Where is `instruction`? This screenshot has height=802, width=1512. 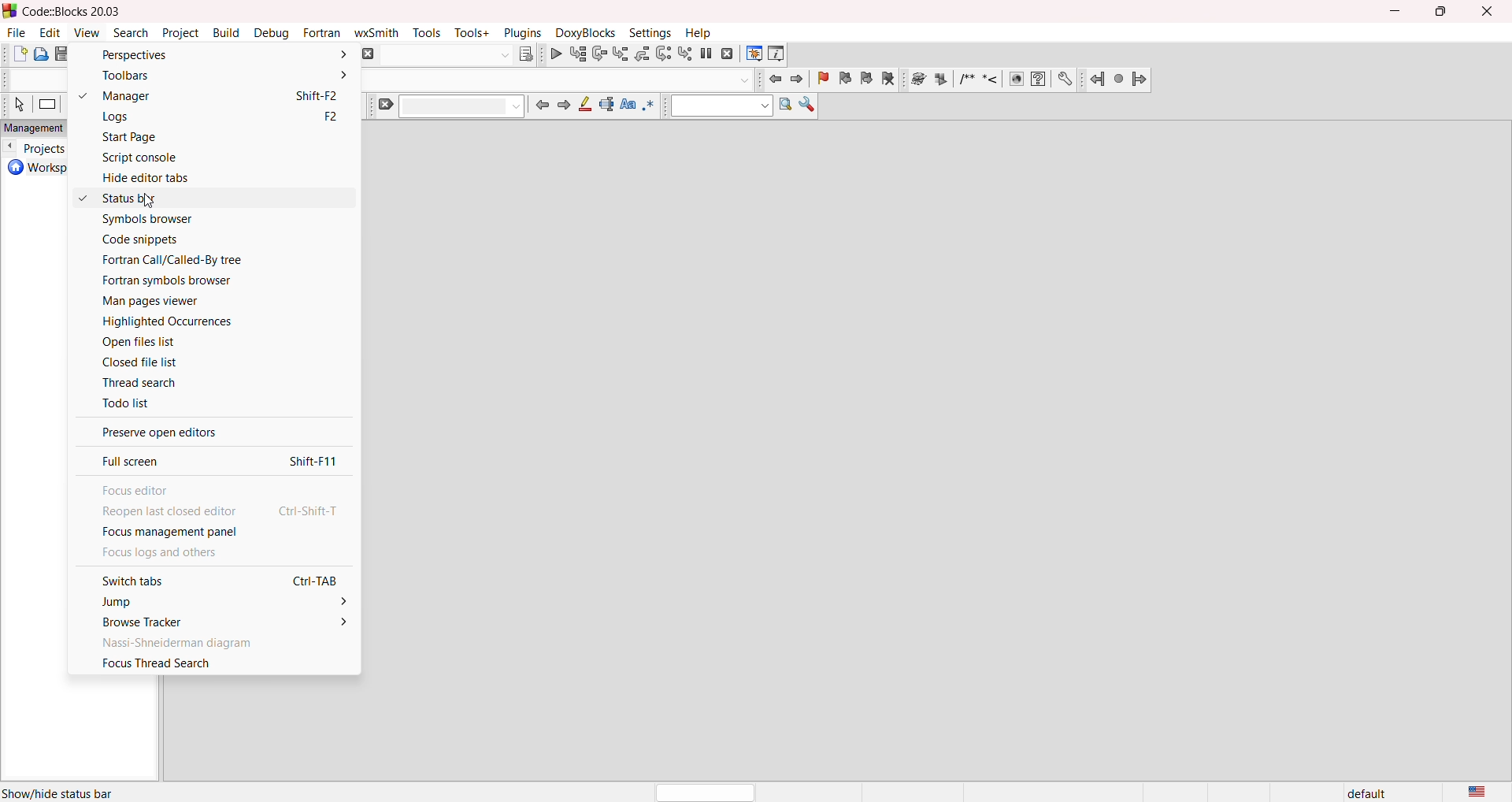
instruction is located at coordinates (46, 106).